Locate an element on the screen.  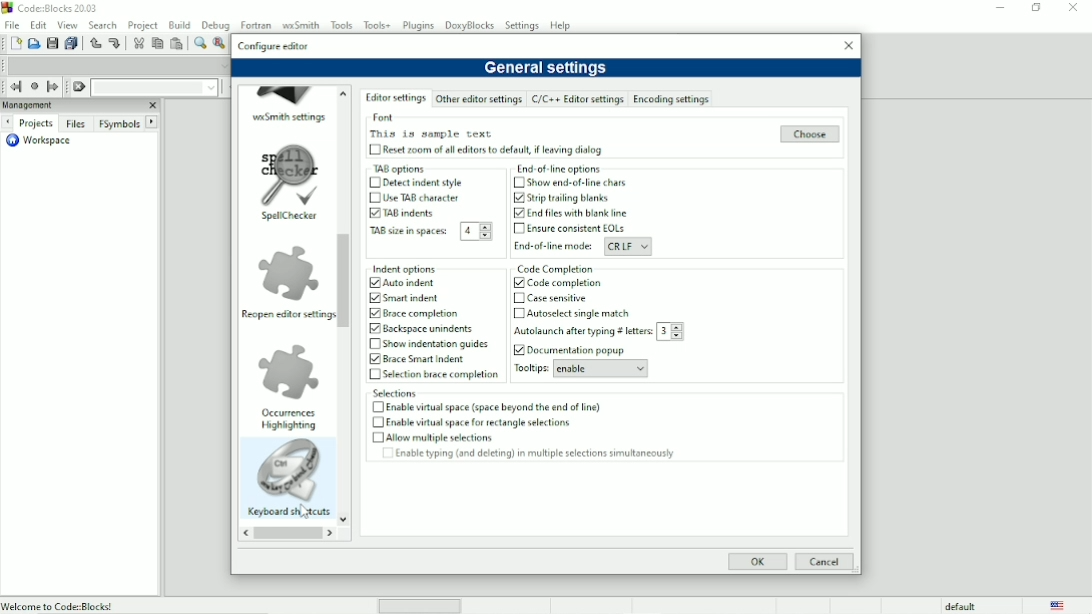
End files with blank line is located at coordinates (578, 213).